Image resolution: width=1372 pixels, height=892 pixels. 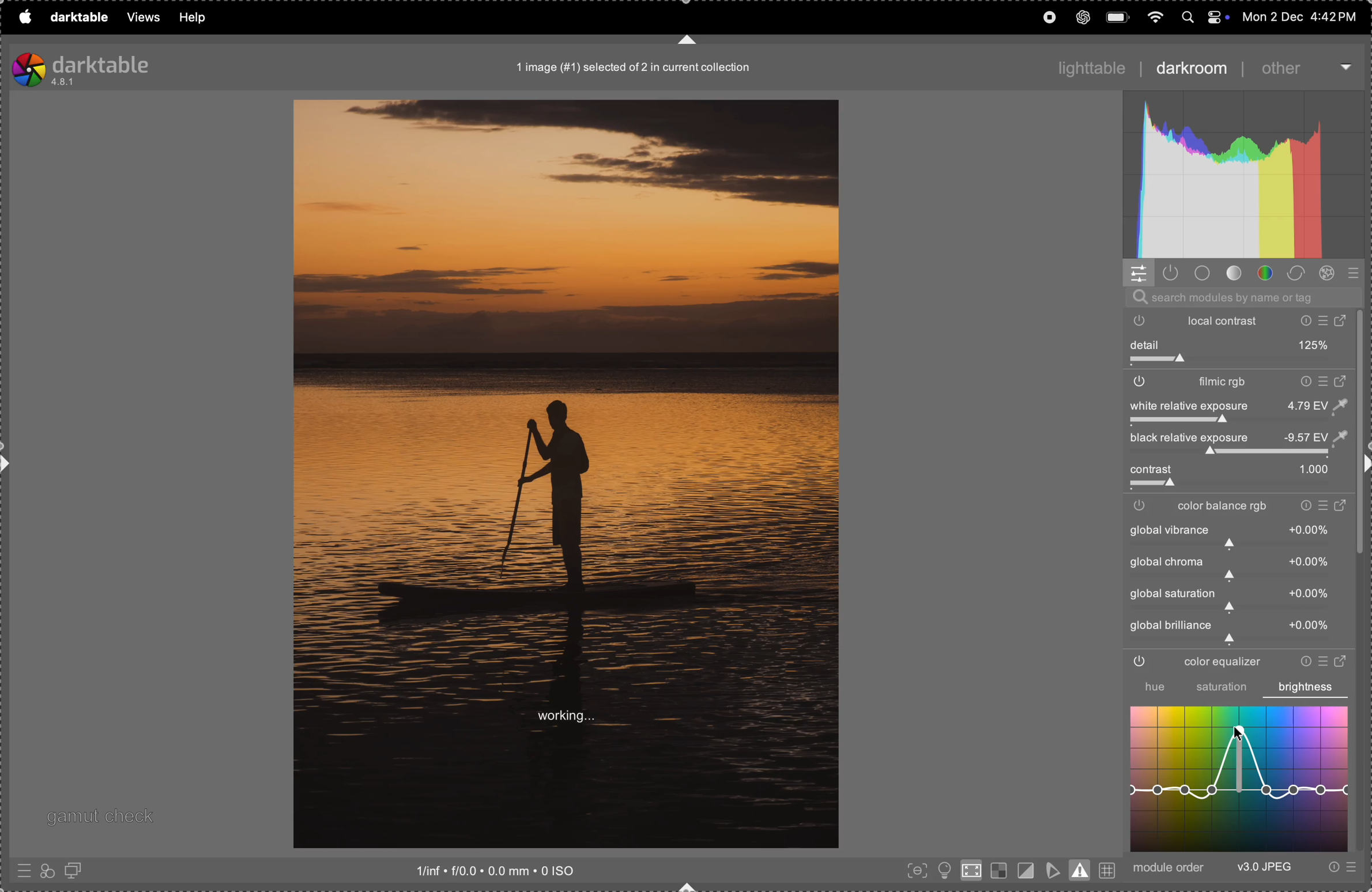 What do you see at coordinates (1306, 687) in the screenshot?
I see `brightness` at bounding box center [1306, 687].